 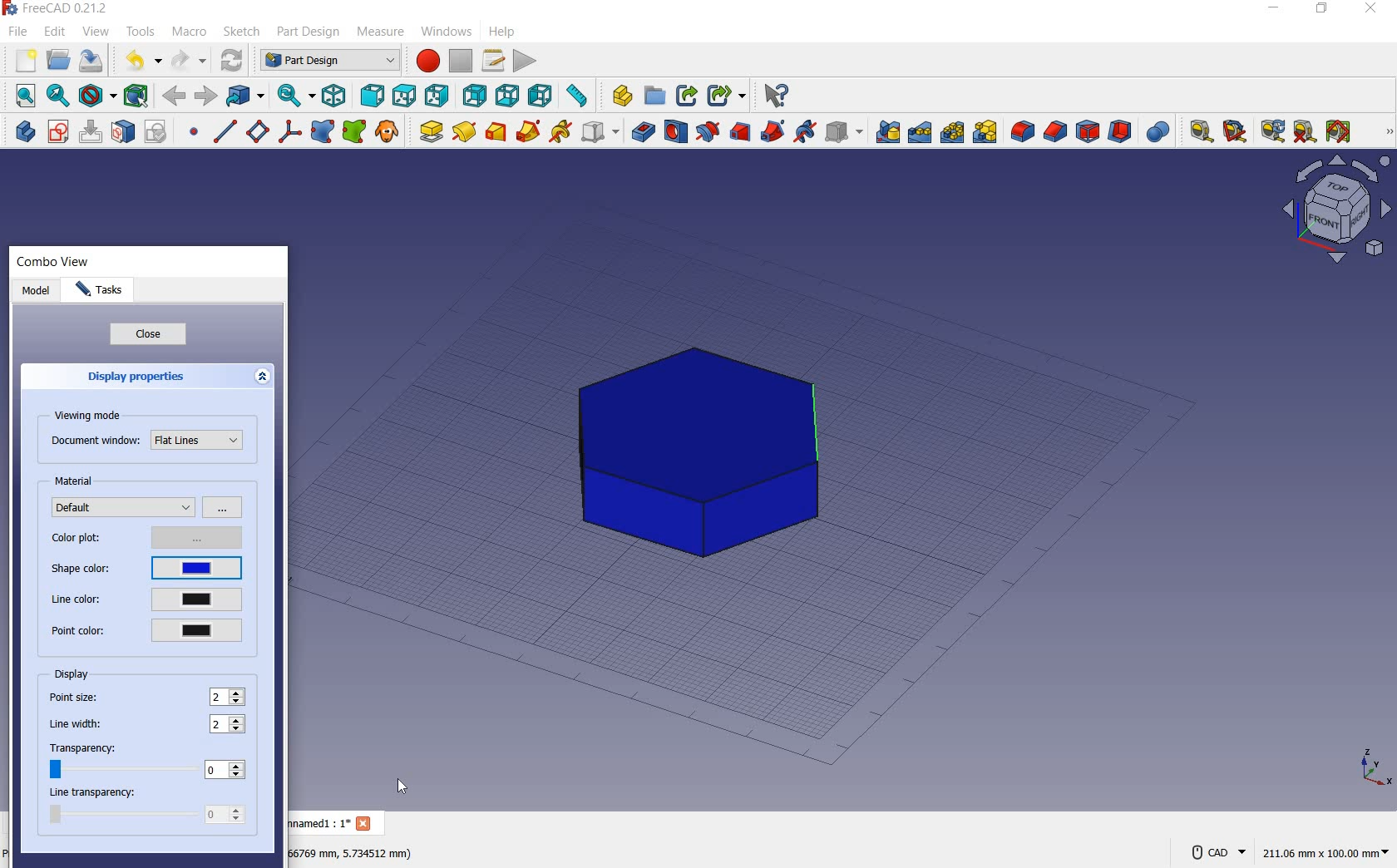 I want to click on current line color, so click(x=197, y=598).